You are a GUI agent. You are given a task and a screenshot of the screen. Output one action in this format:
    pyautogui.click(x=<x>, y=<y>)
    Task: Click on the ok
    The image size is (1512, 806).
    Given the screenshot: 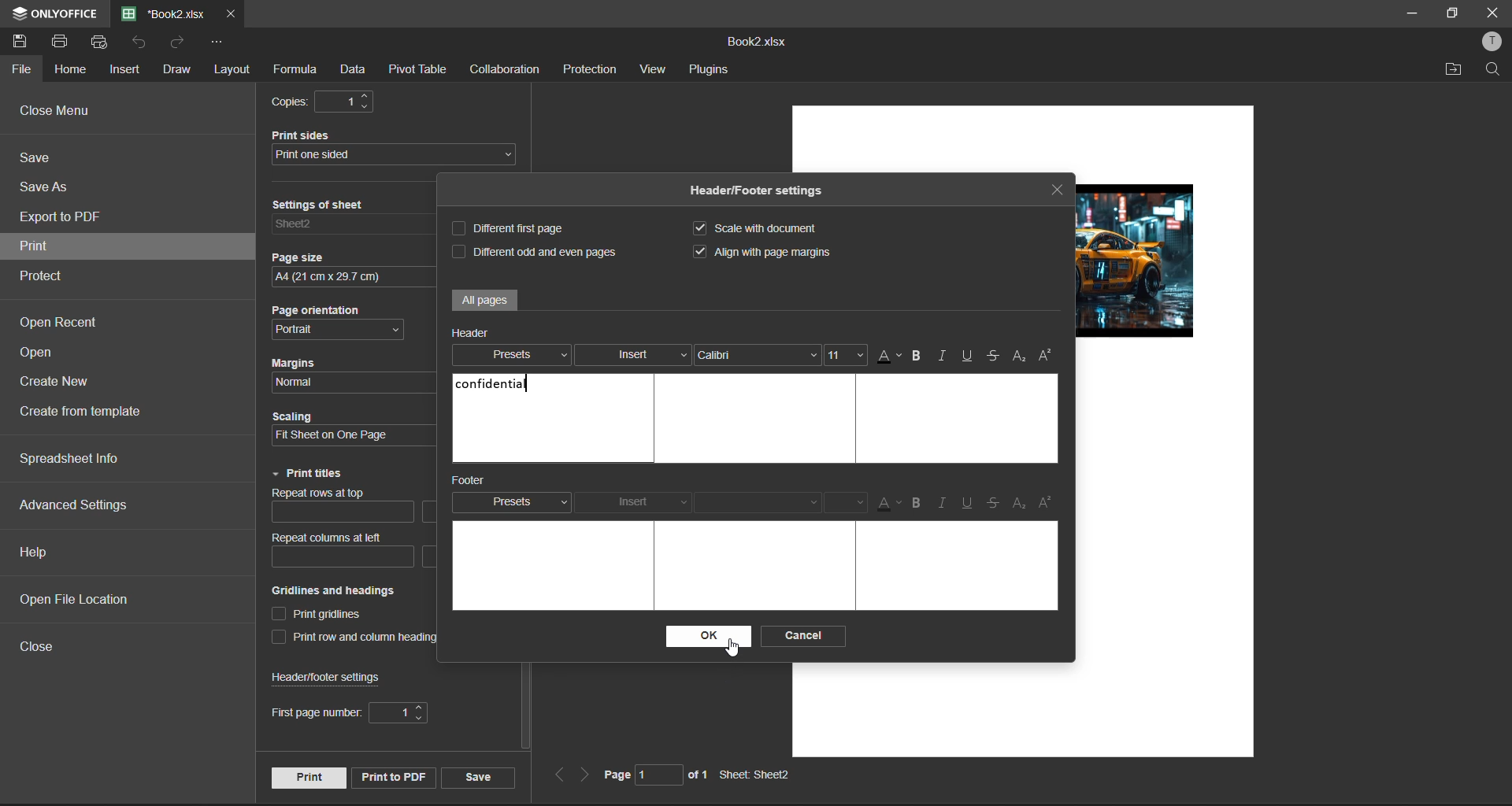 What is the action you would take?
    pyautogui.click(x=704, y=637)
    